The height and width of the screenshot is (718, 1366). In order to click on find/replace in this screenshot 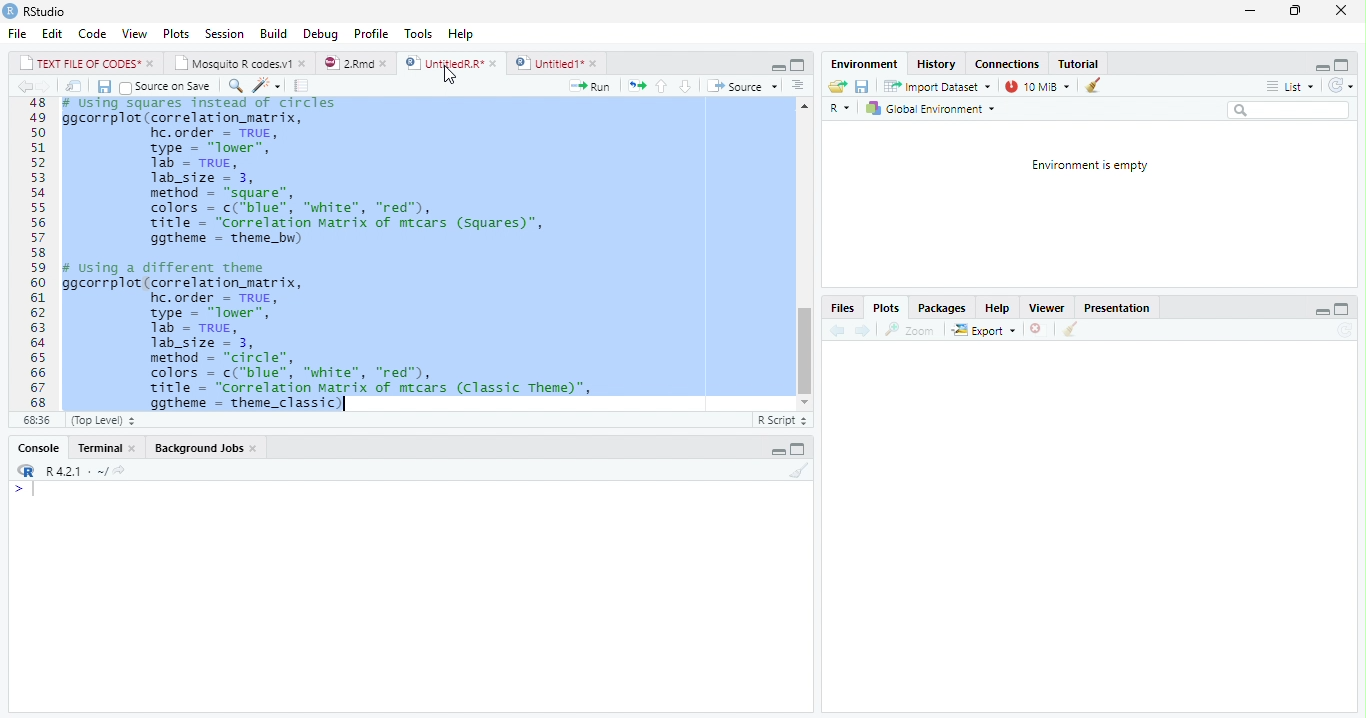, I will do `click(235, 87)`.